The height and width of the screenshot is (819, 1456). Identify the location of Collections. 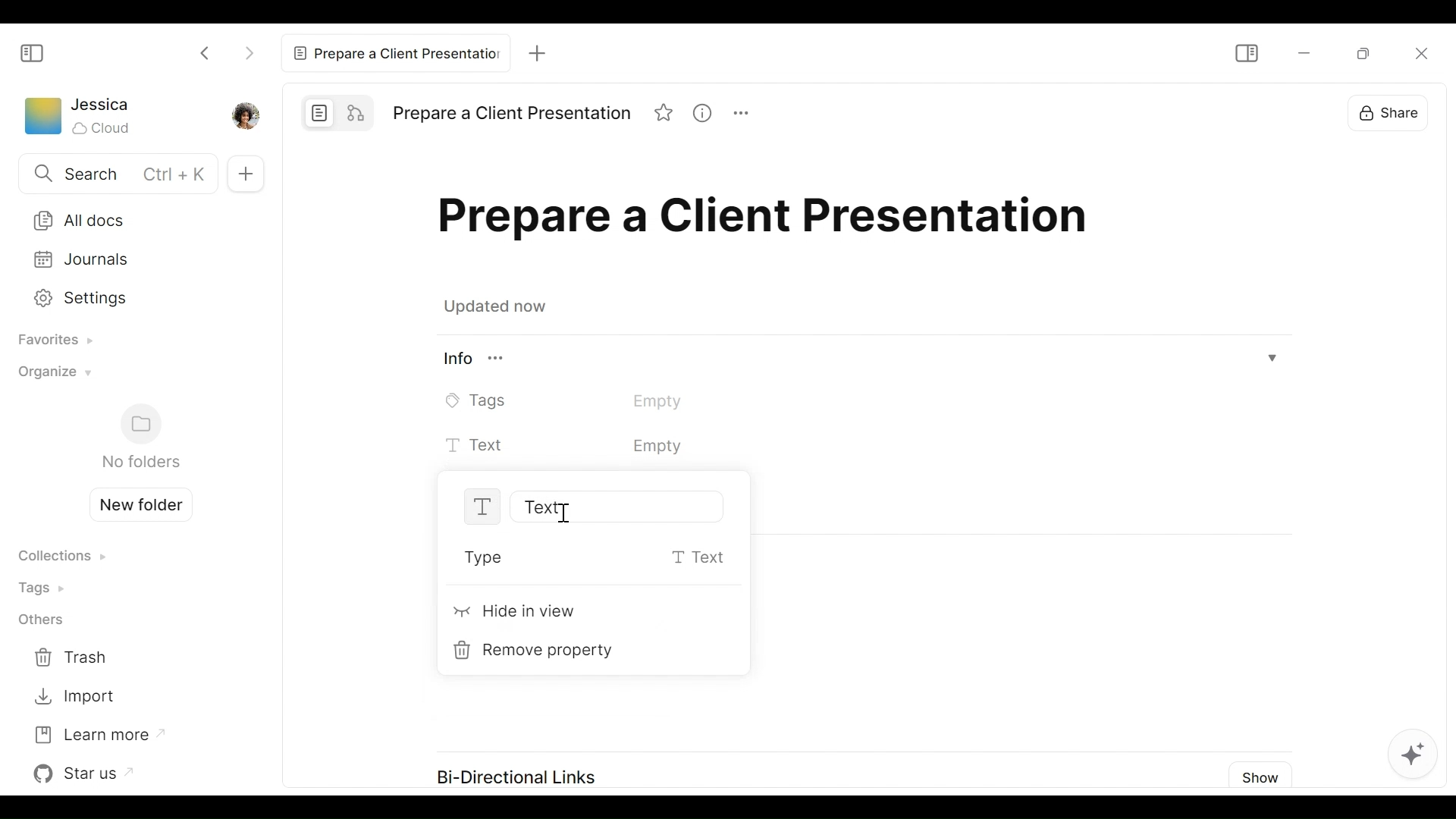
(61, 557).